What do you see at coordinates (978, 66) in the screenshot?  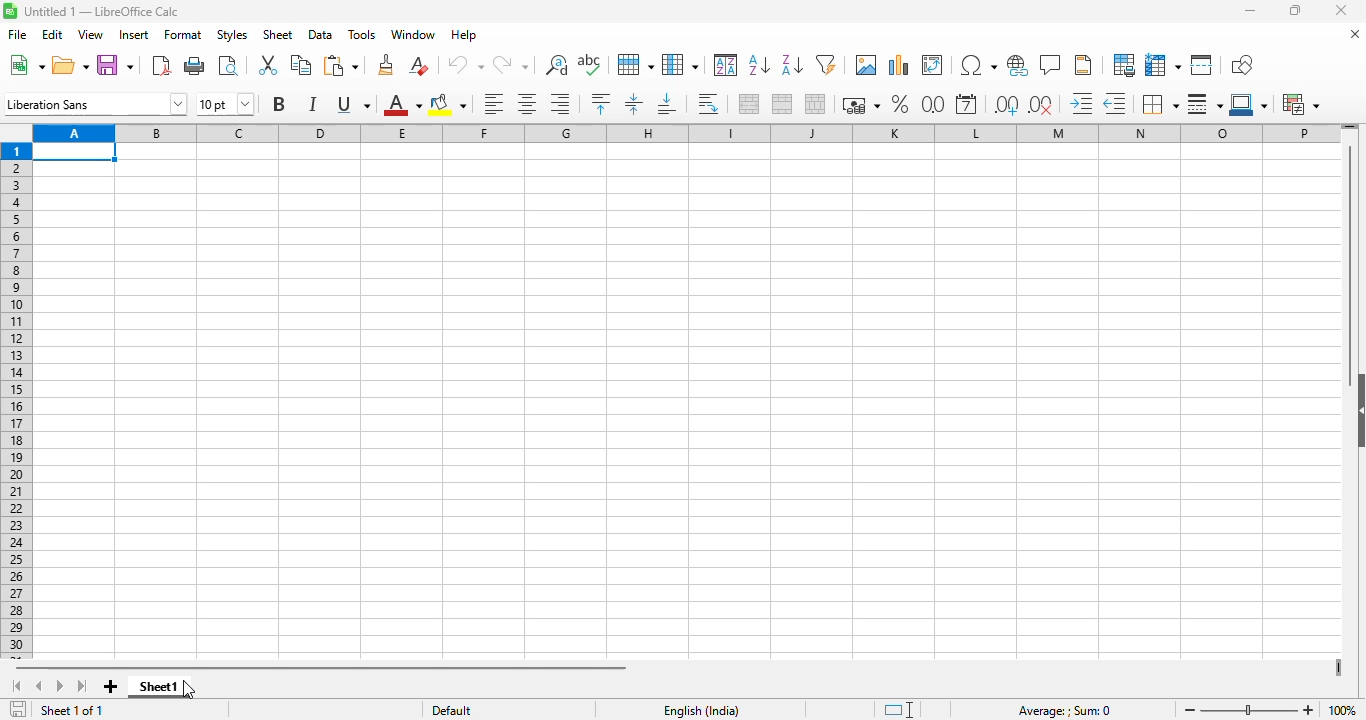 I see `insert special characters` at bounding box center [978, 66].